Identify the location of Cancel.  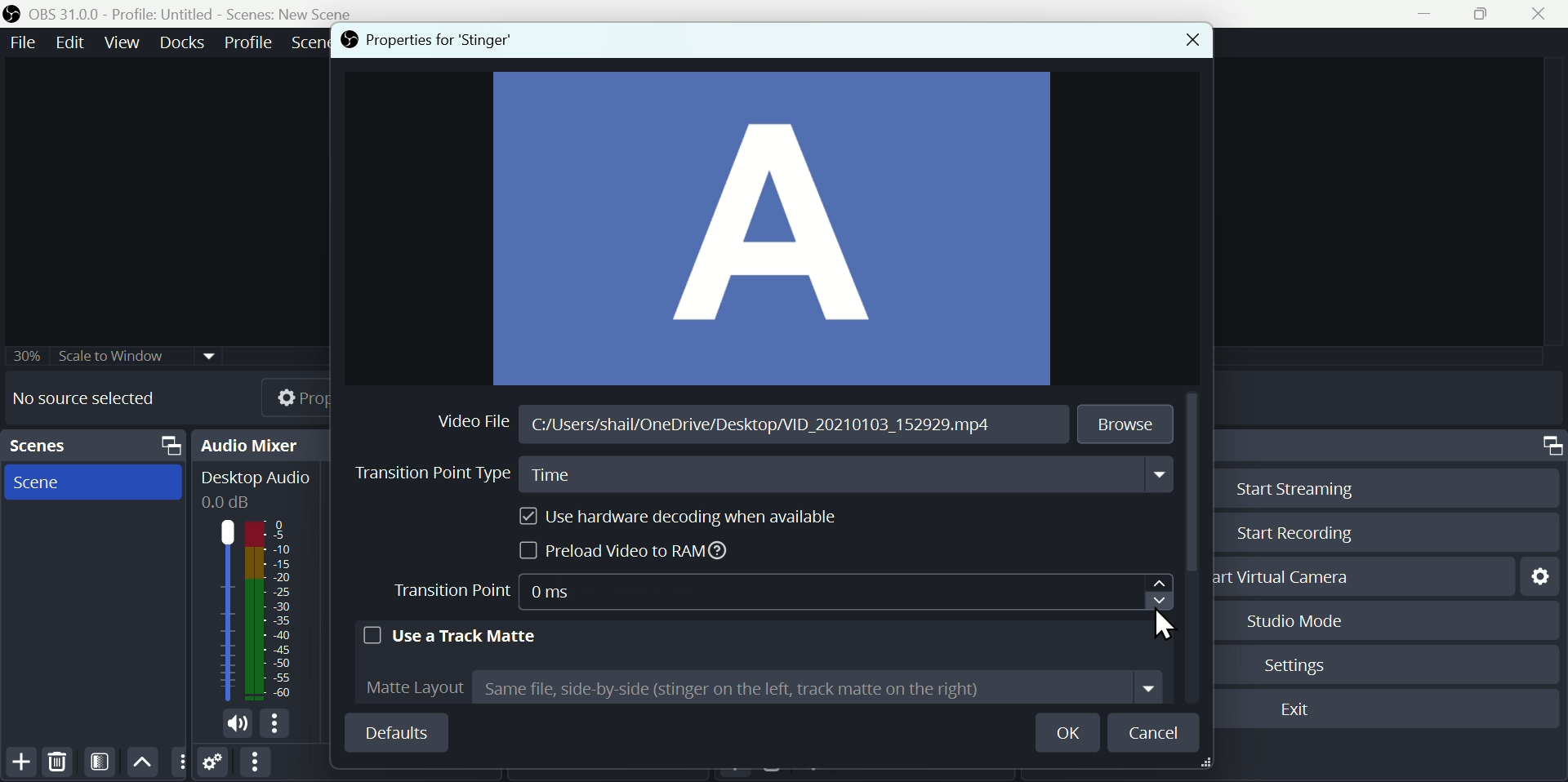
(1156, 732).